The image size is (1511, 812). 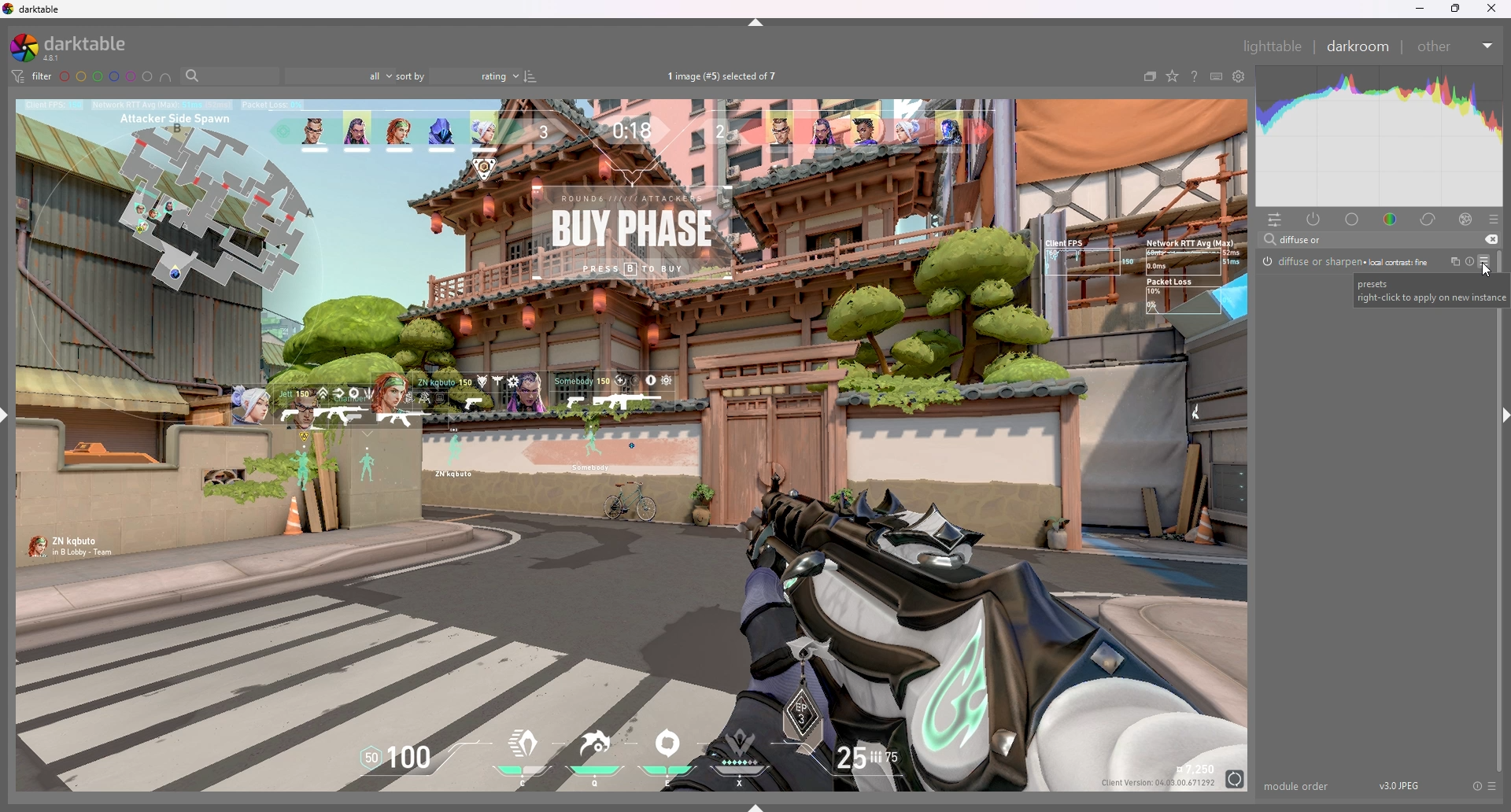 I want to click on minimize, so click(x=1417, y=9).